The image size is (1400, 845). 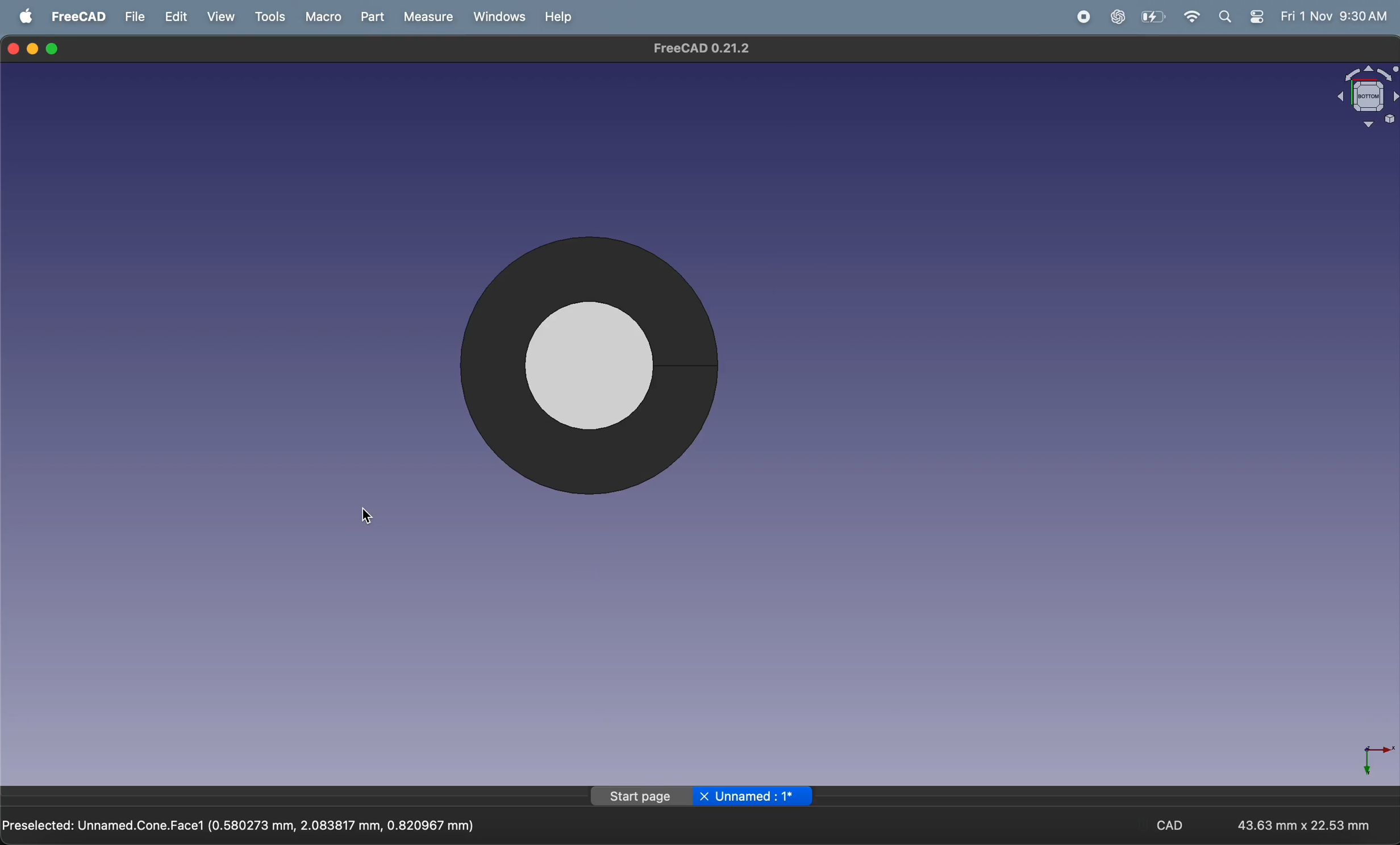 I want to click on Axis, so click(x=1368, y=755).